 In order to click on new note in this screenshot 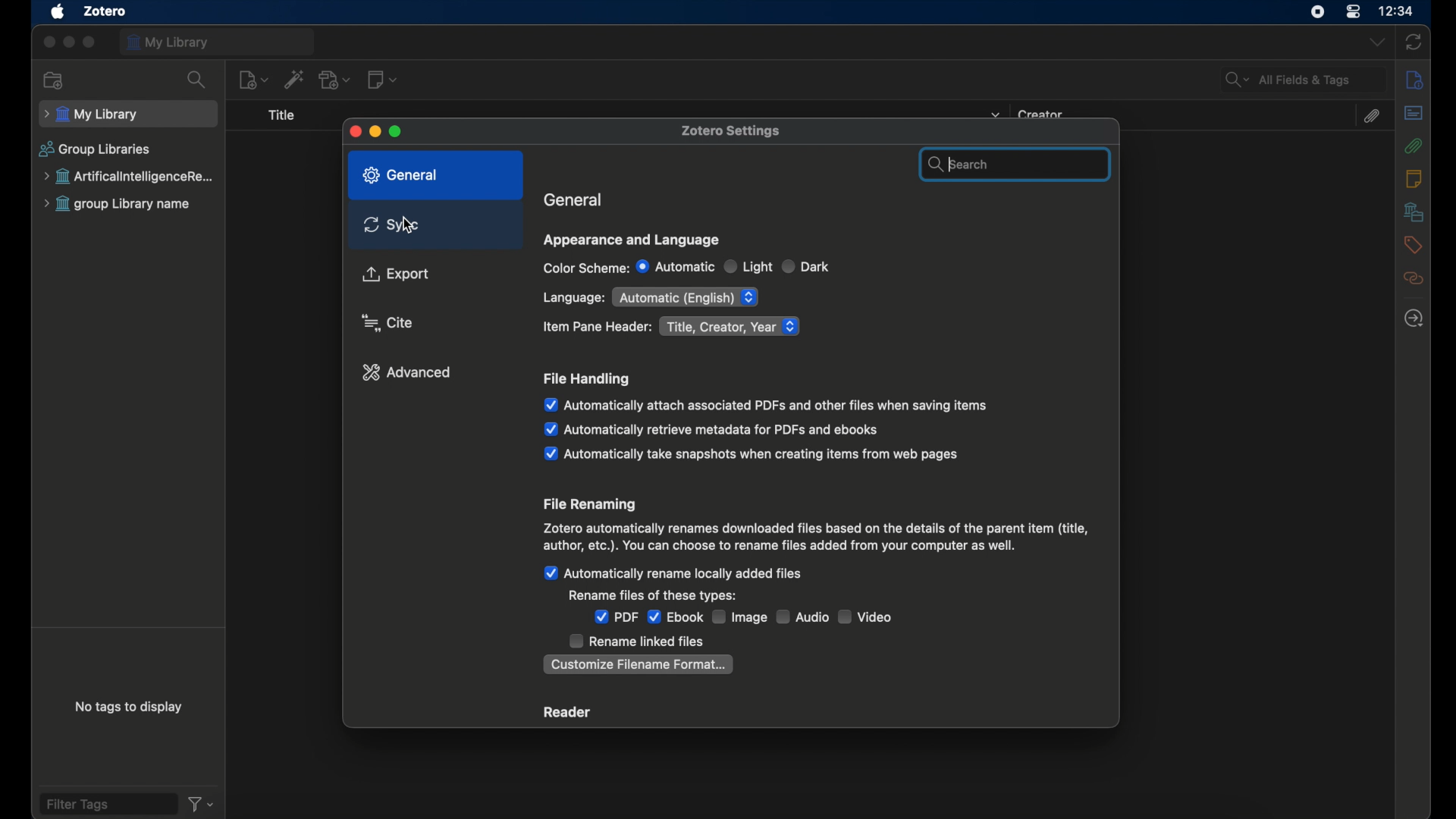, I will do `click(383, 80)`.